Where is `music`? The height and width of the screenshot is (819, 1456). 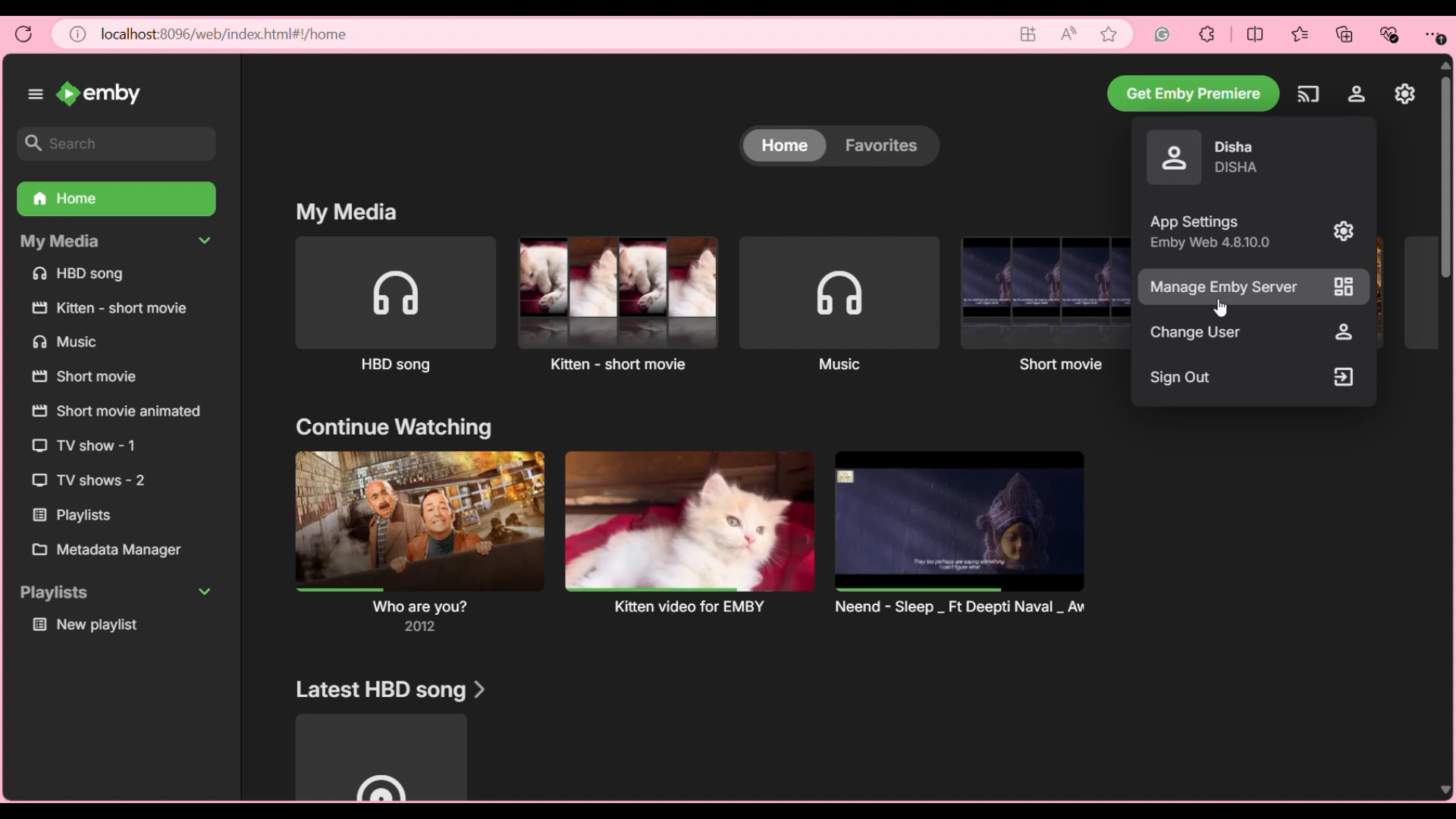
music is located at coordinates (836, 306).